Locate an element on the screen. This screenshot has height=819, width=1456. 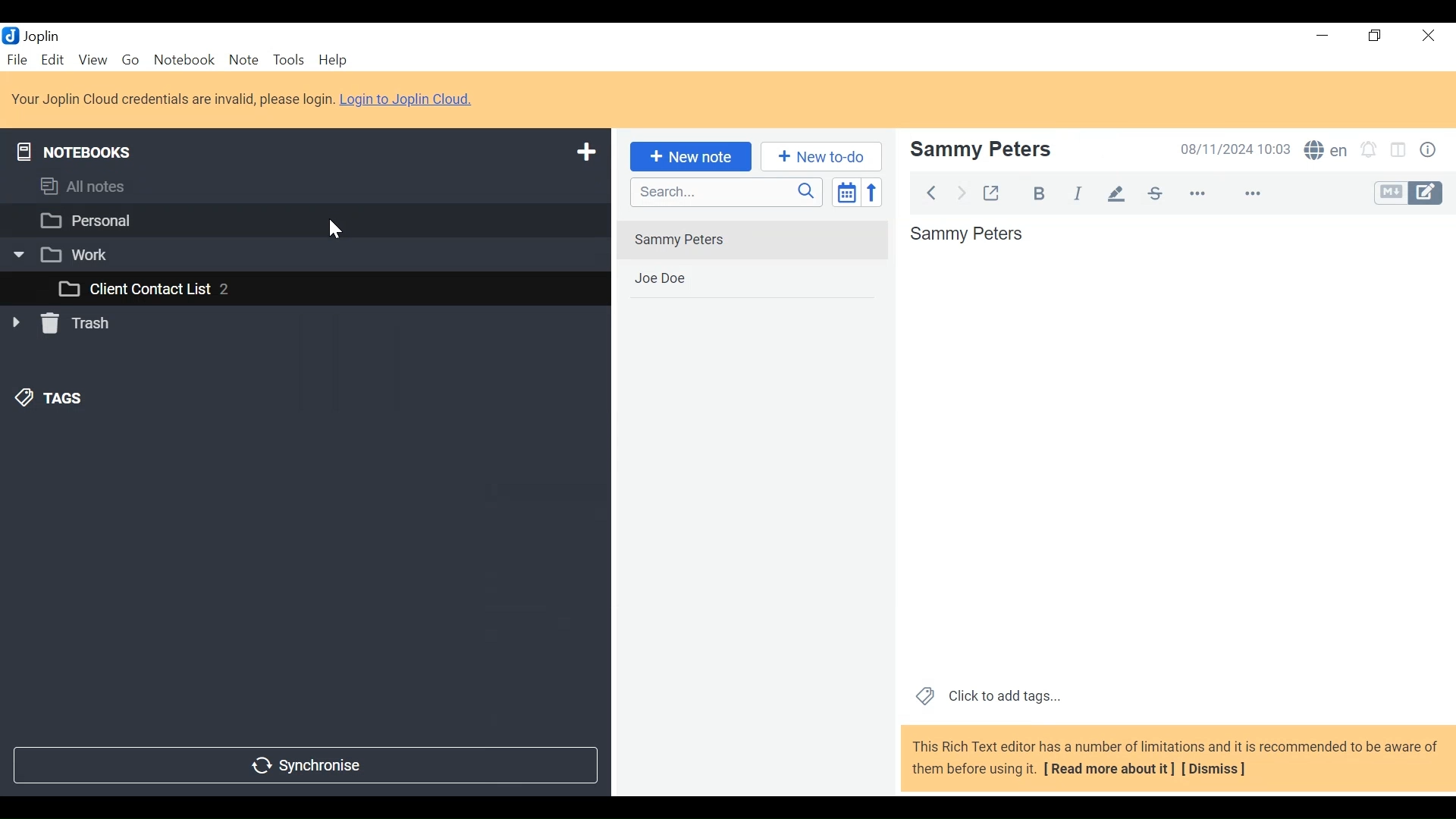
Your Joplin Cloud credentials are invalid, please login. Login to Joplin Cloud. is located at coordinates (246, 99).